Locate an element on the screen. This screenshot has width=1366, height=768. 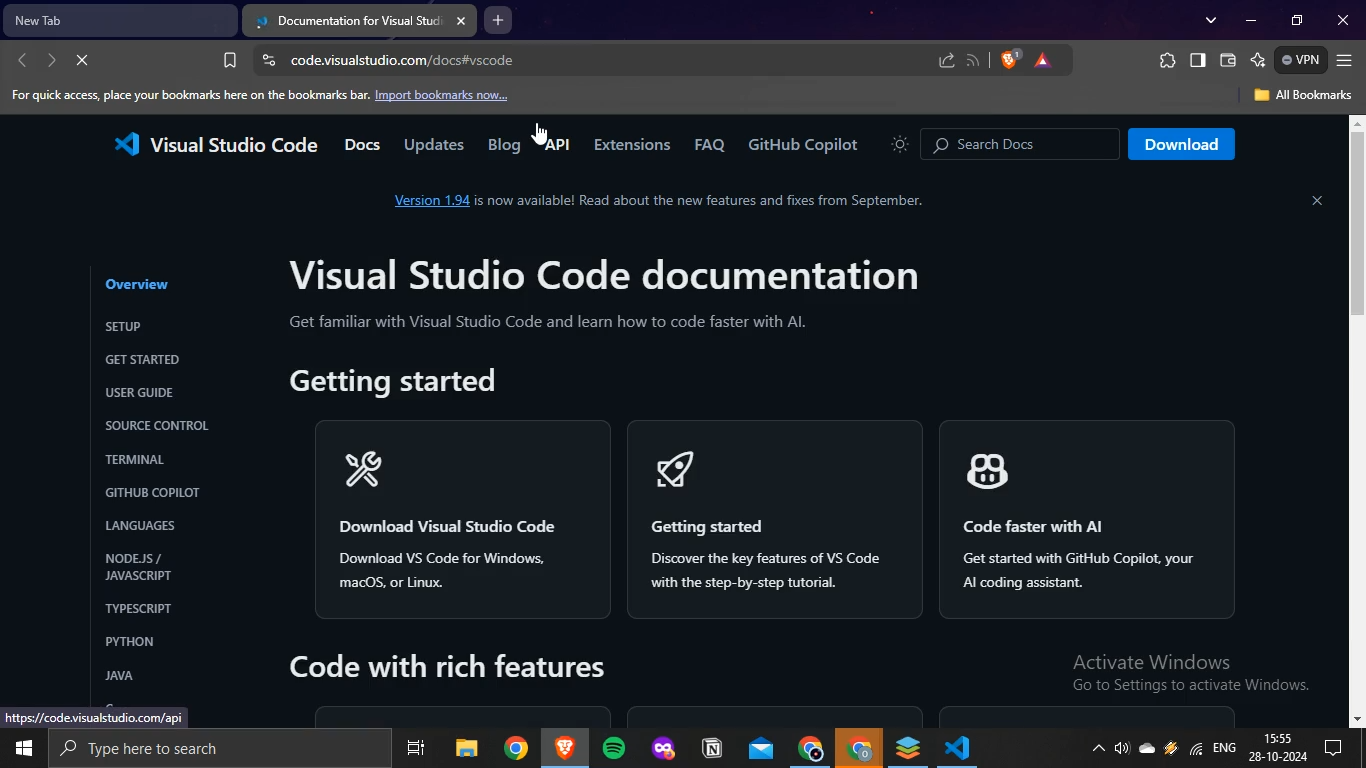
© Search Docs is located at coordinates (1015, 142).